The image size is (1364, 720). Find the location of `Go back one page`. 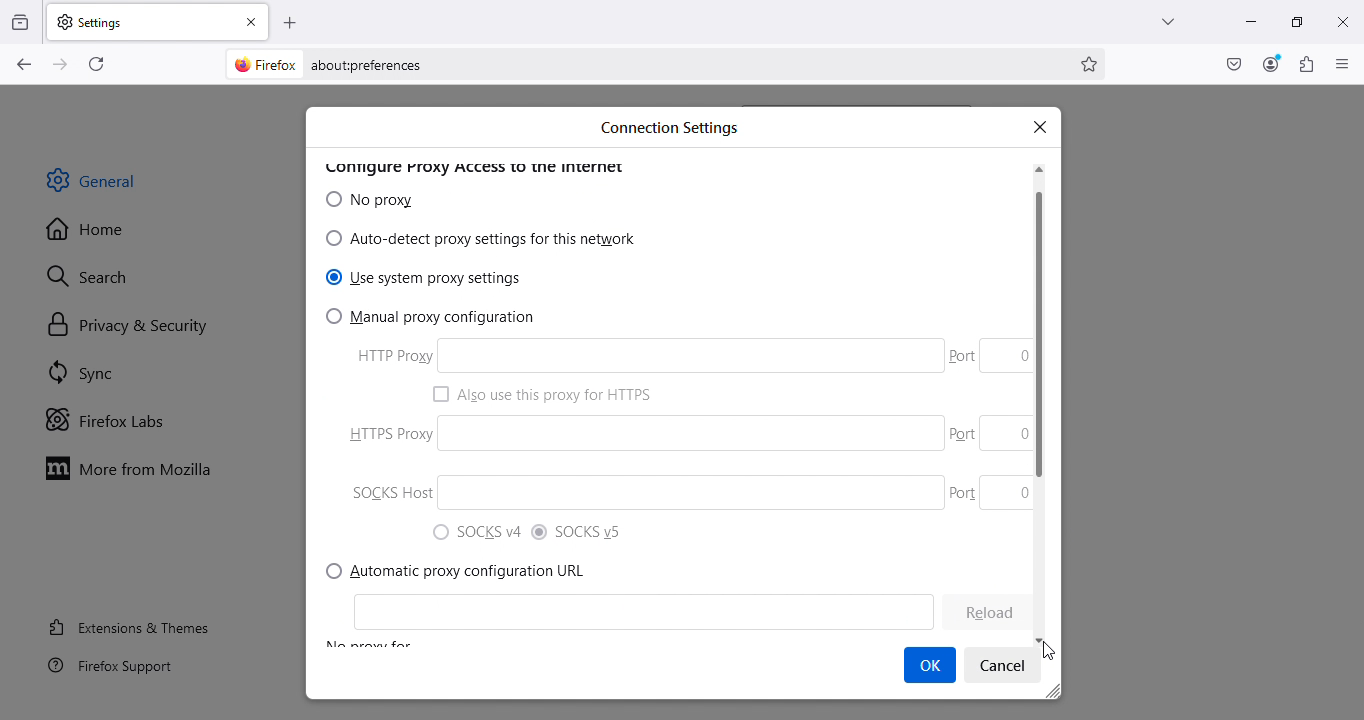

Go back one page is located at coordinates (22, 65).